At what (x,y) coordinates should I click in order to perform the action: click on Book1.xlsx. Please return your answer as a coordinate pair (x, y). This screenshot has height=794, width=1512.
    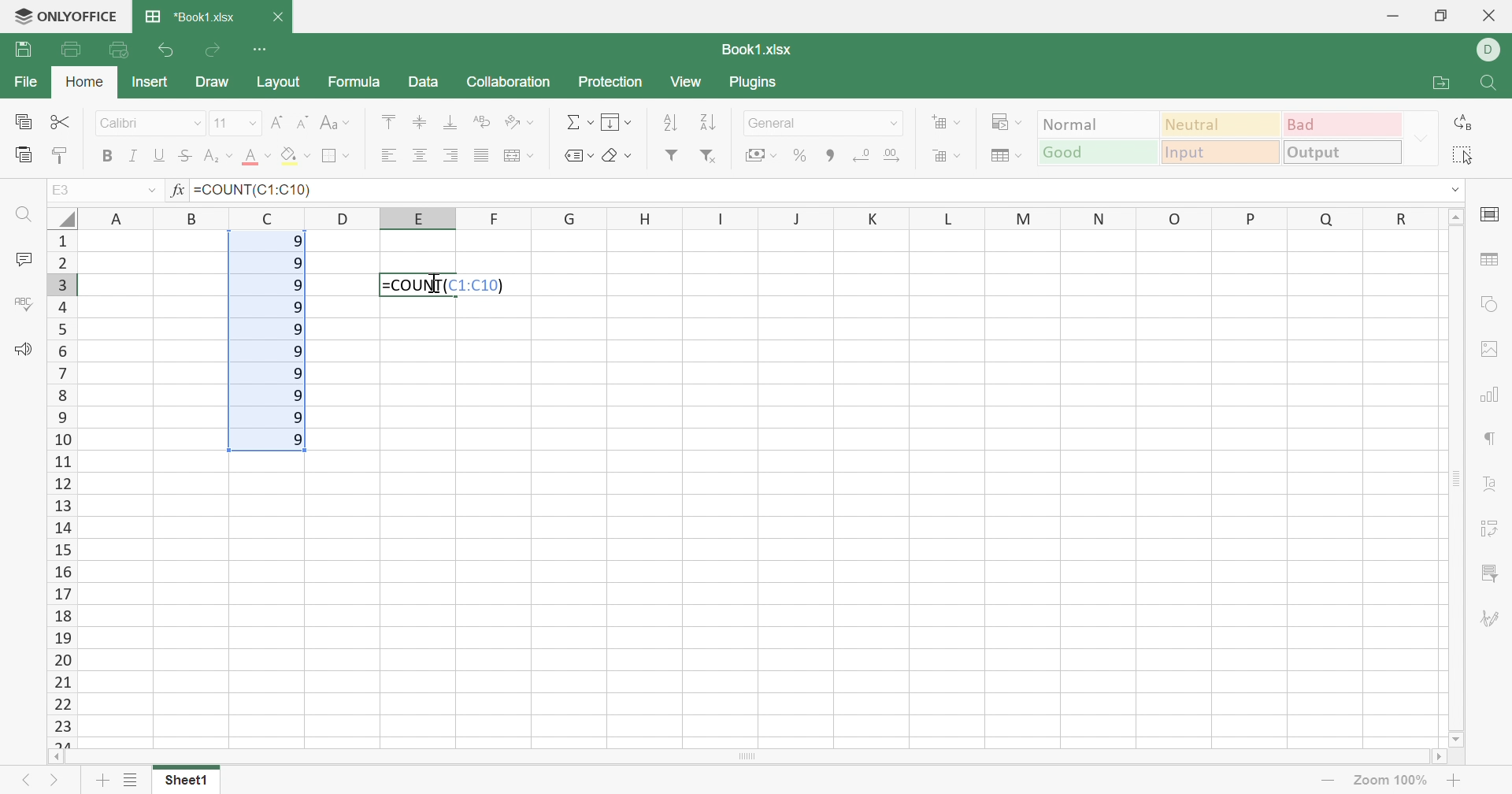
    Looking at the image, I should click on (763, 51).